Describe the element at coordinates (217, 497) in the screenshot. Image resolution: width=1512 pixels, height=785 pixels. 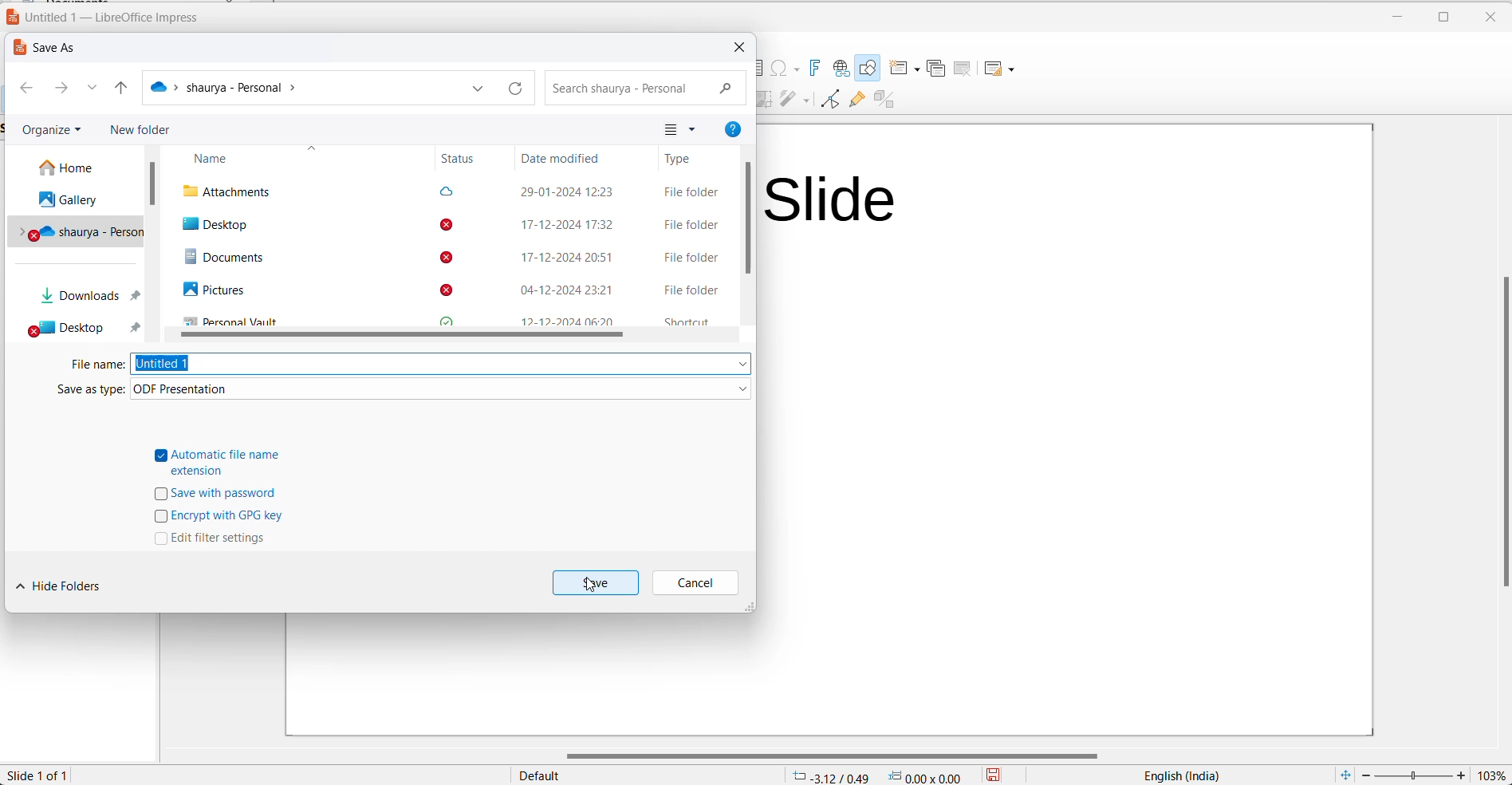
I see `SAVE WITH PASSWORD` at that location.